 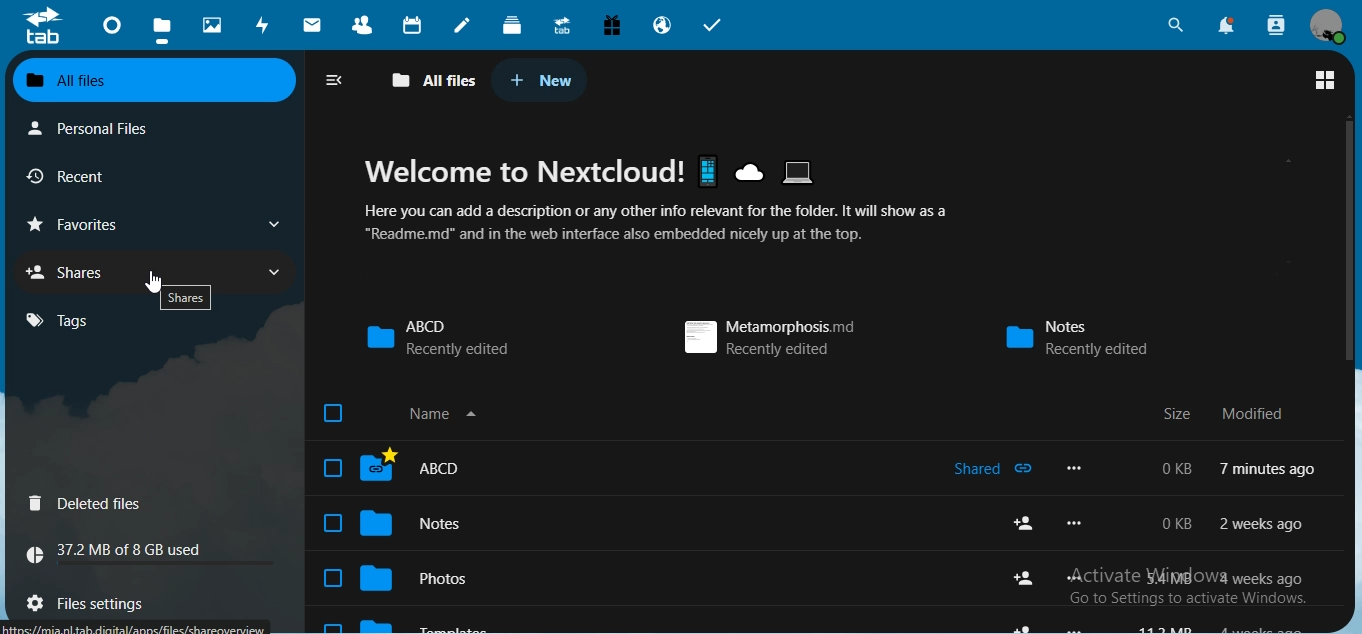 What do you see at coordinates (98, 128) in the screenshot?
I see `personal files` at bounding box center [98, 128].